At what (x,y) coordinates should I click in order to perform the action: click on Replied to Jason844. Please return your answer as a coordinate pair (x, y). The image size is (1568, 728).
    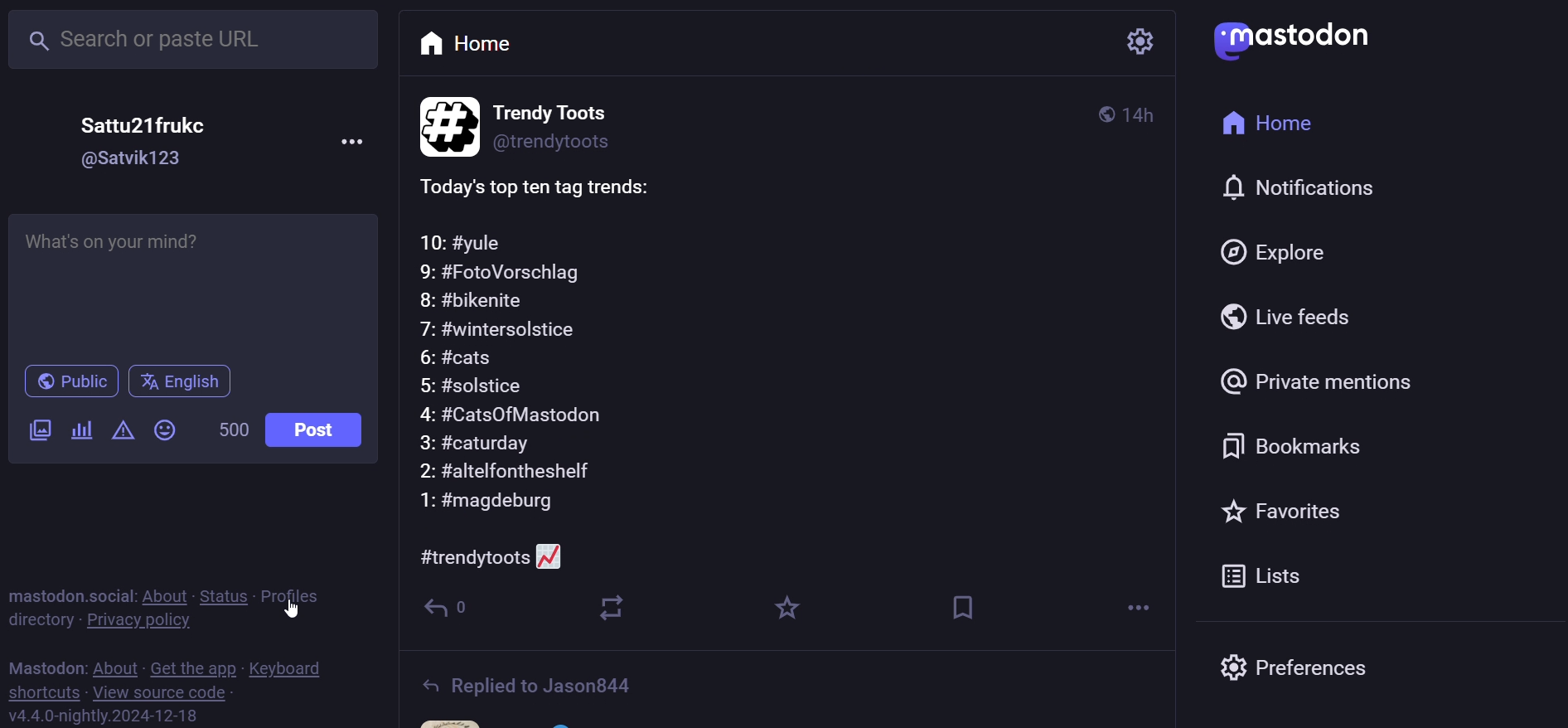
    Looking at the image, I should click on (554, 682).